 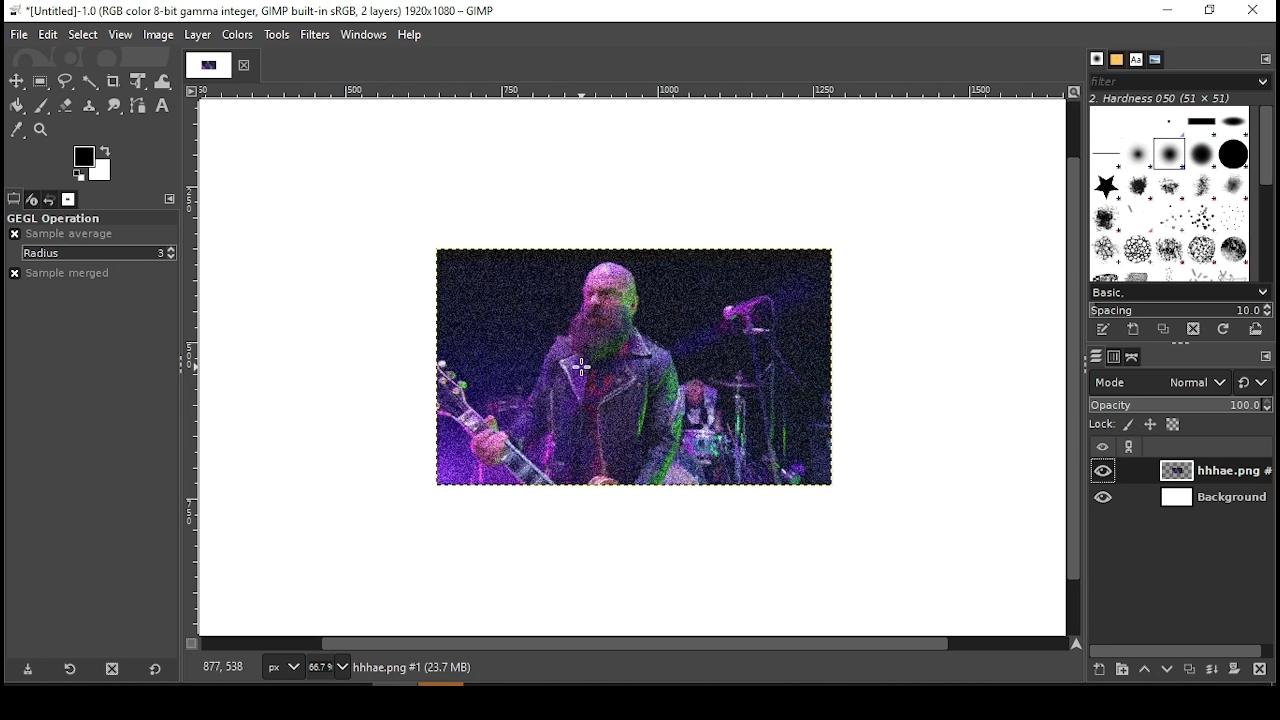 I want to click on delete brush, so click(x=1197, y=330).